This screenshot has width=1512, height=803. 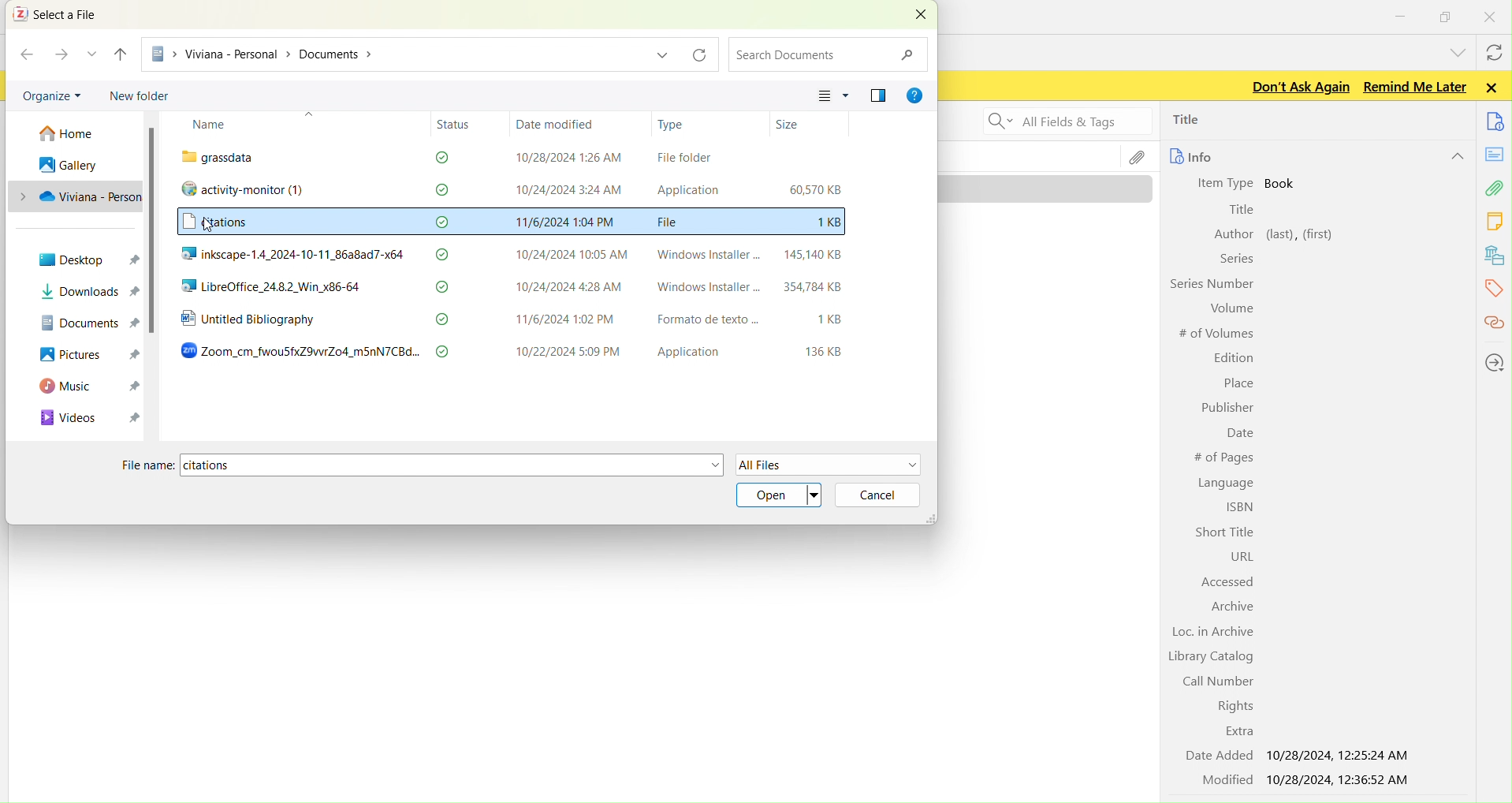 What do you see at coordinates (252, 192) in the screenshot?
I see `activity-monitor (1)` at bounding box center [252, 192].